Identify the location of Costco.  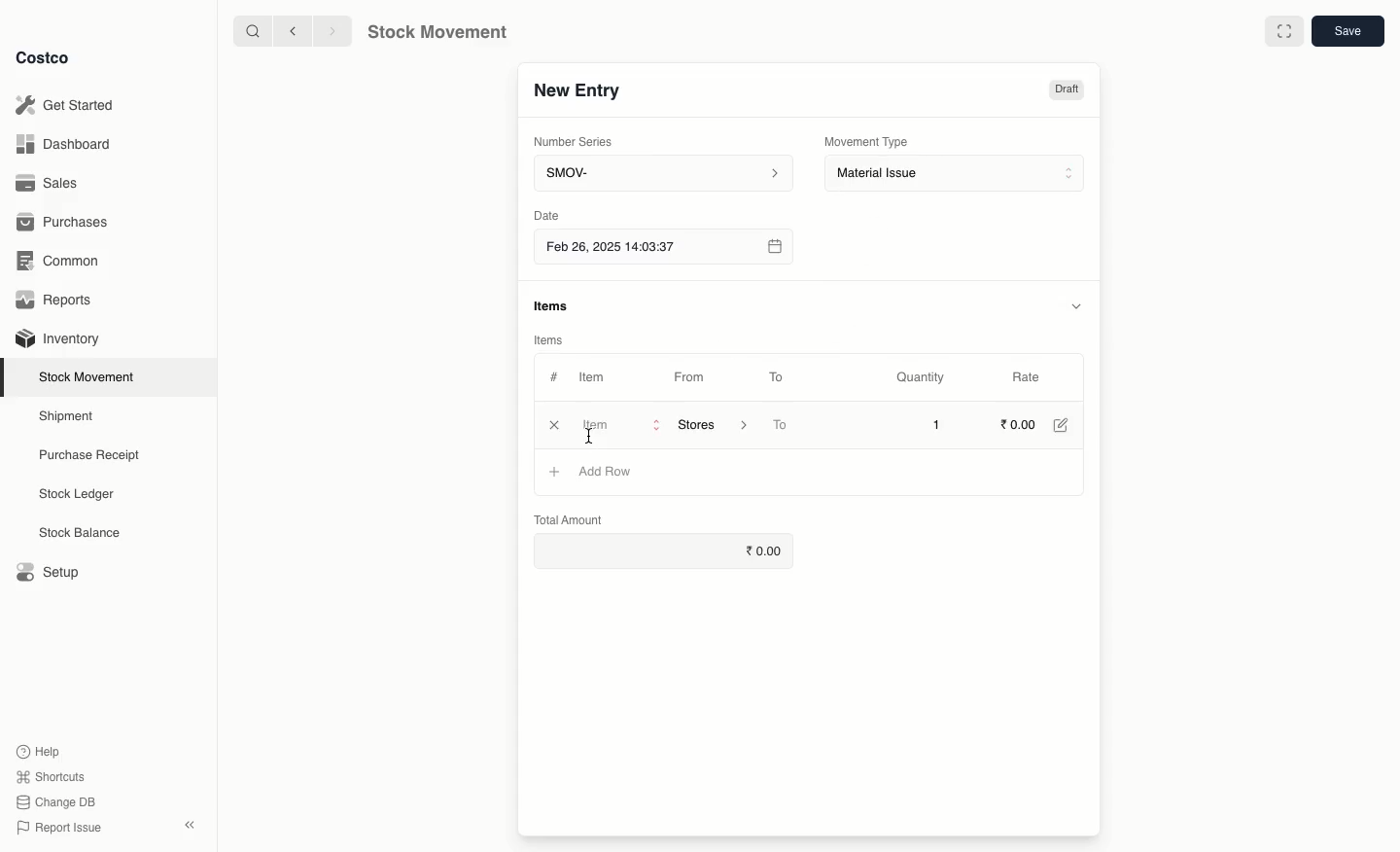
(44, 58).